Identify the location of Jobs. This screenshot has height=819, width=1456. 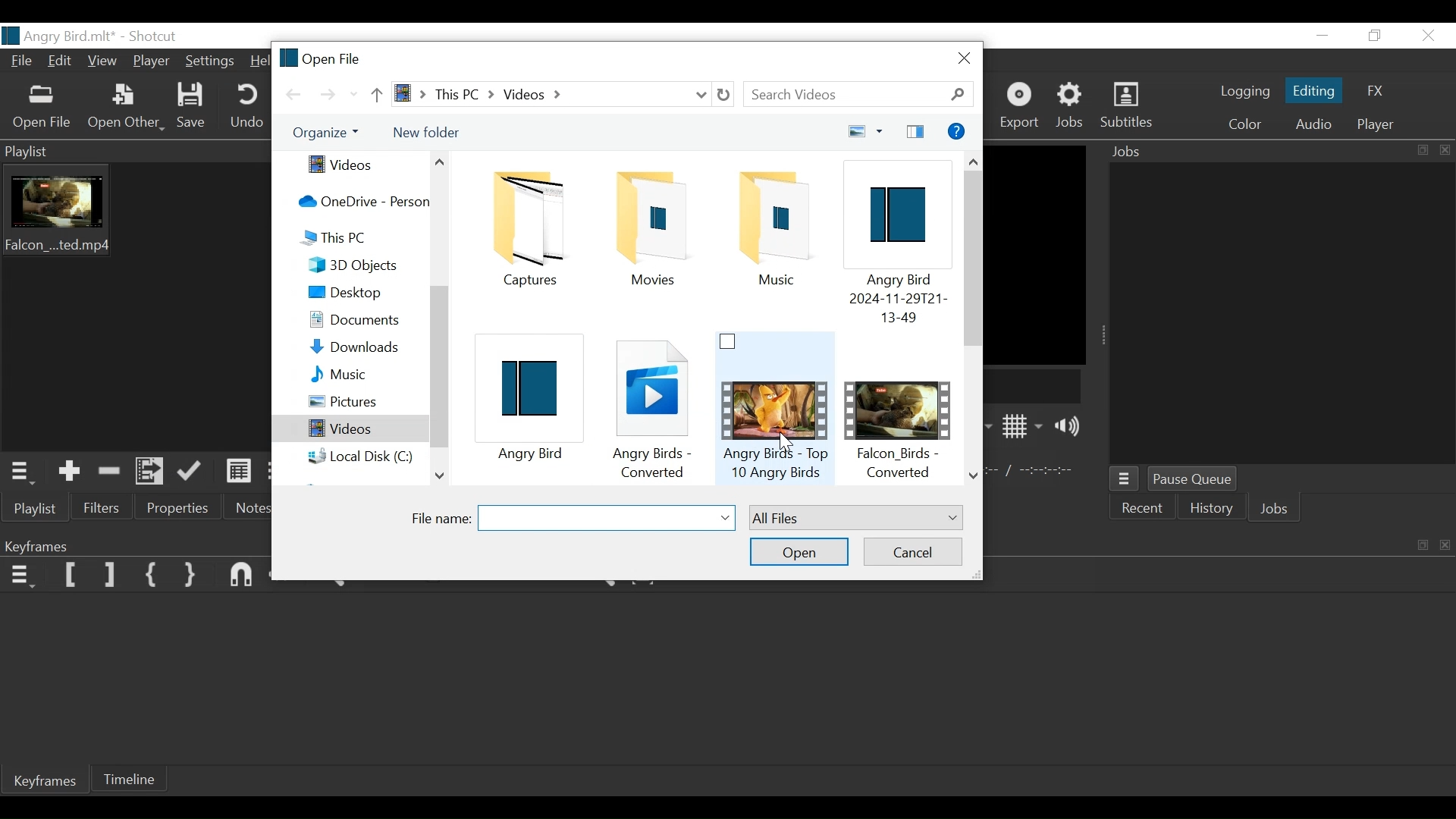
(1276, 152).